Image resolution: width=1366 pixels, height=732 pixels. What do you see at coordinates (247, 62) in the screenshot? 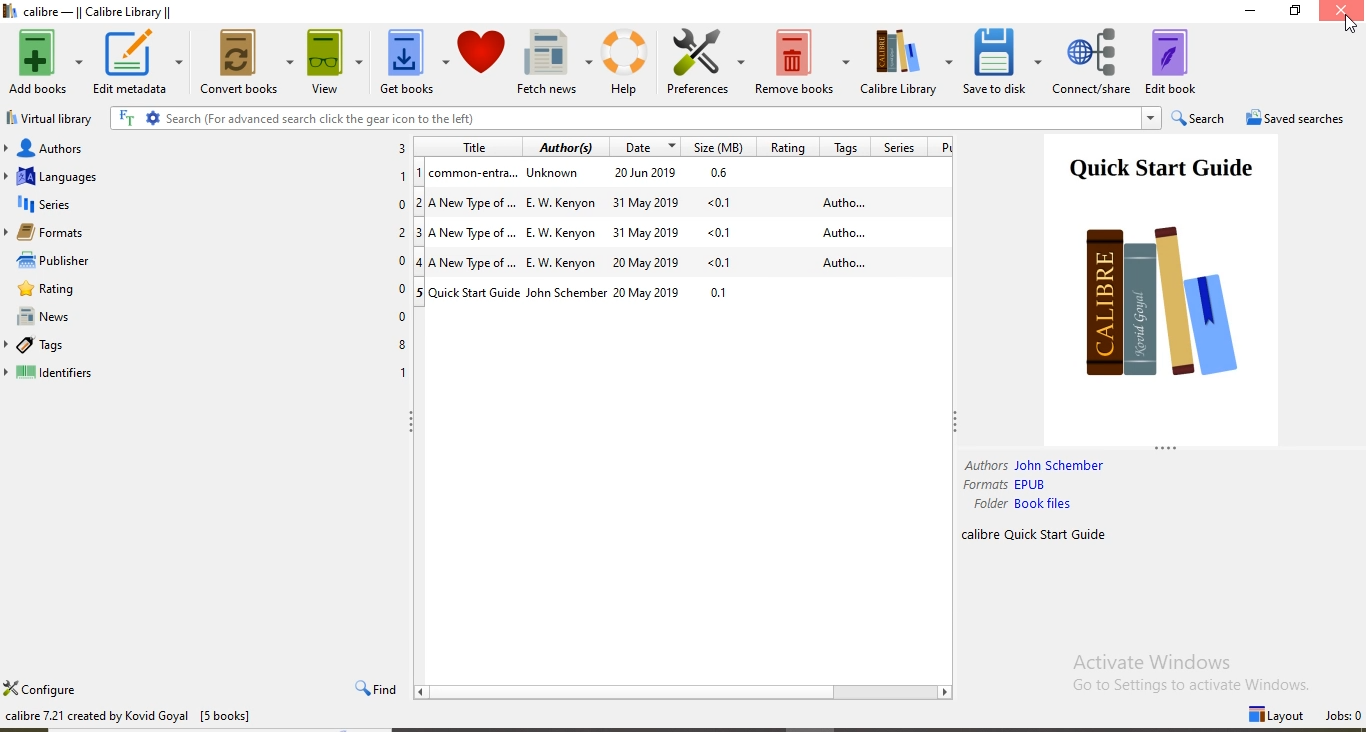
I see `Convert books` at bounding box center [247, 62].